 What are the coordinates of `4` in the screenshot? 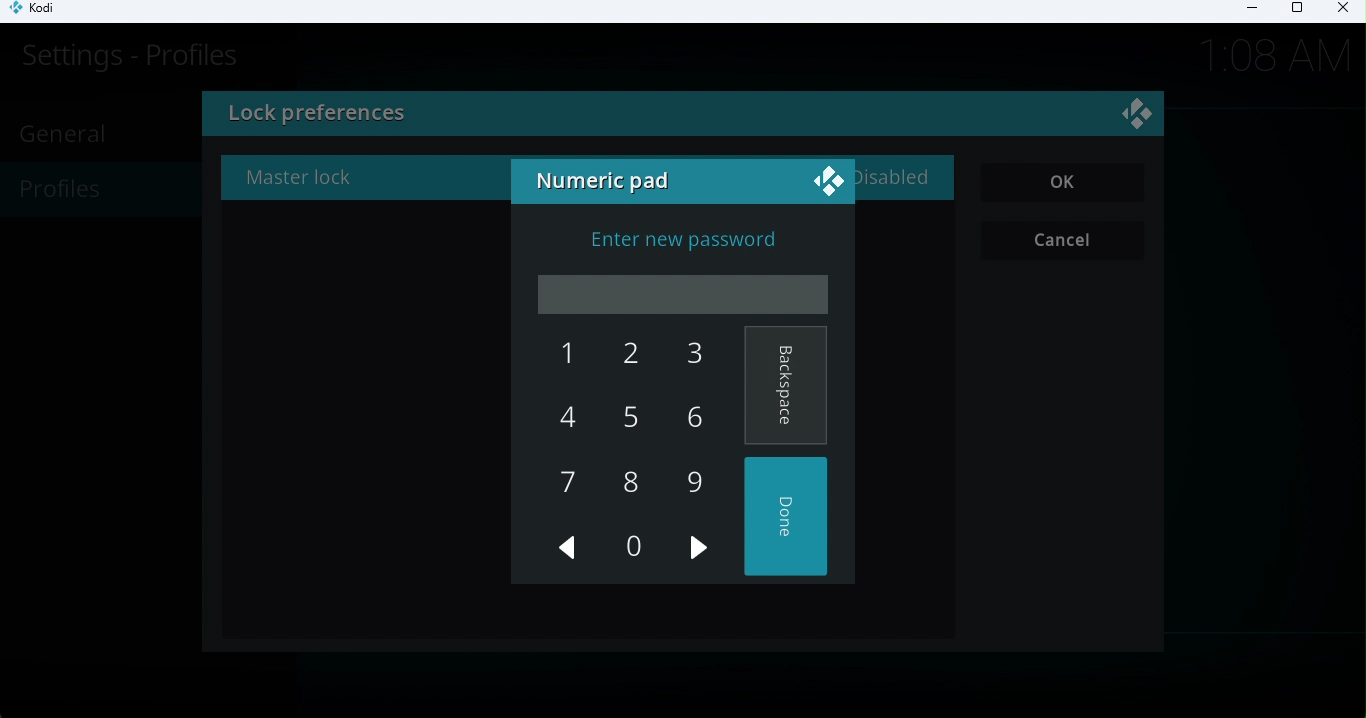 It's located at (569, 417).